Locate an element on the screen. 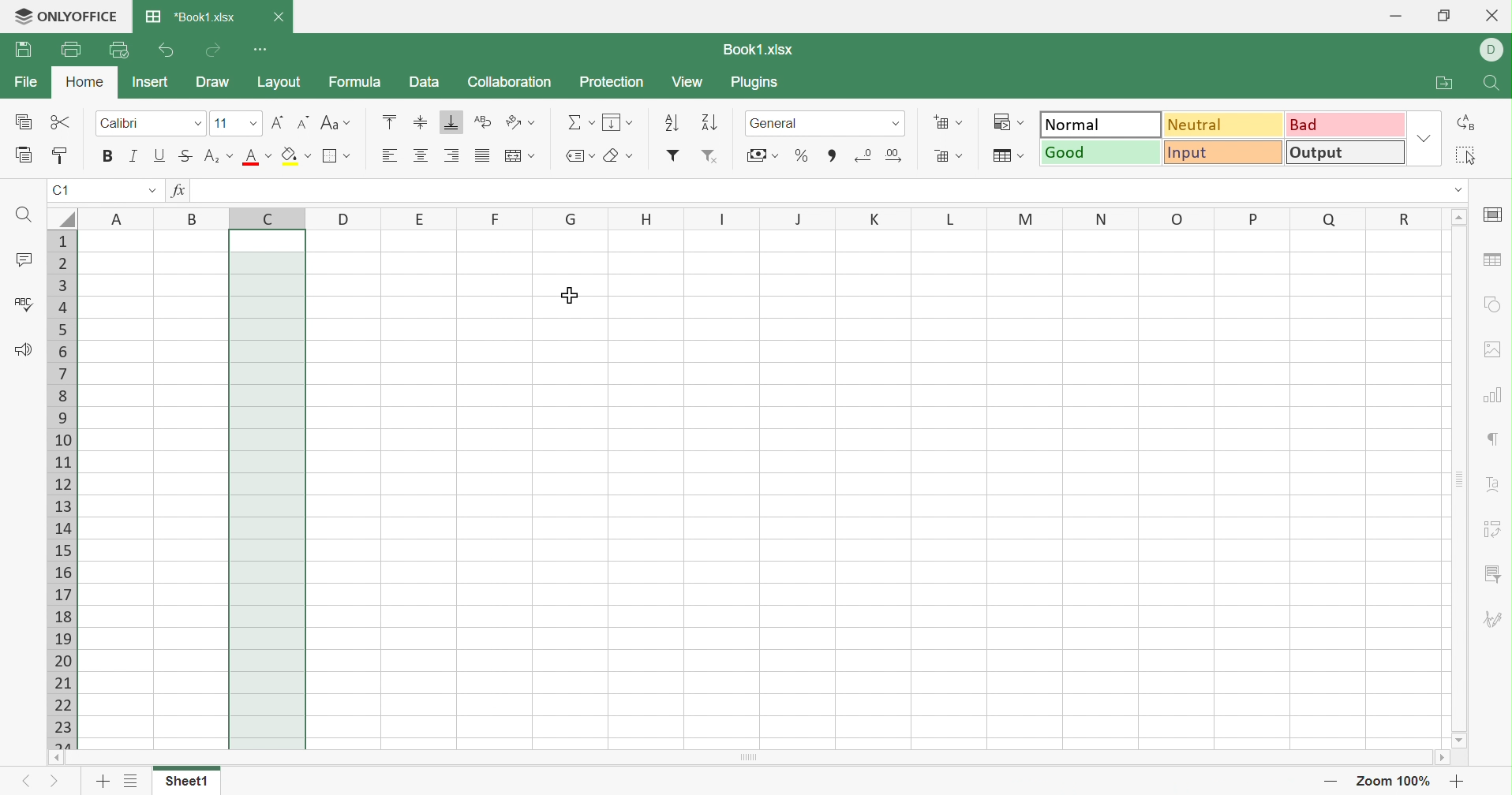  Ascending order is located at coordinates (671, 121).